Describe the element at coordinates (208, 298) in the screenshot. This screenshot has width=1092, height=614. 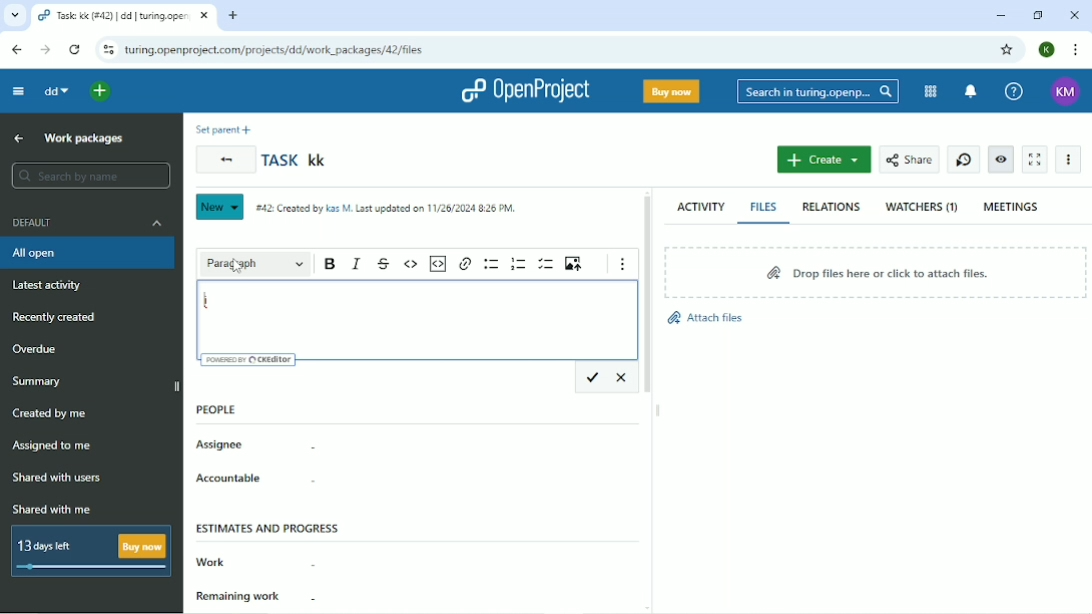
I see `i` at that location.